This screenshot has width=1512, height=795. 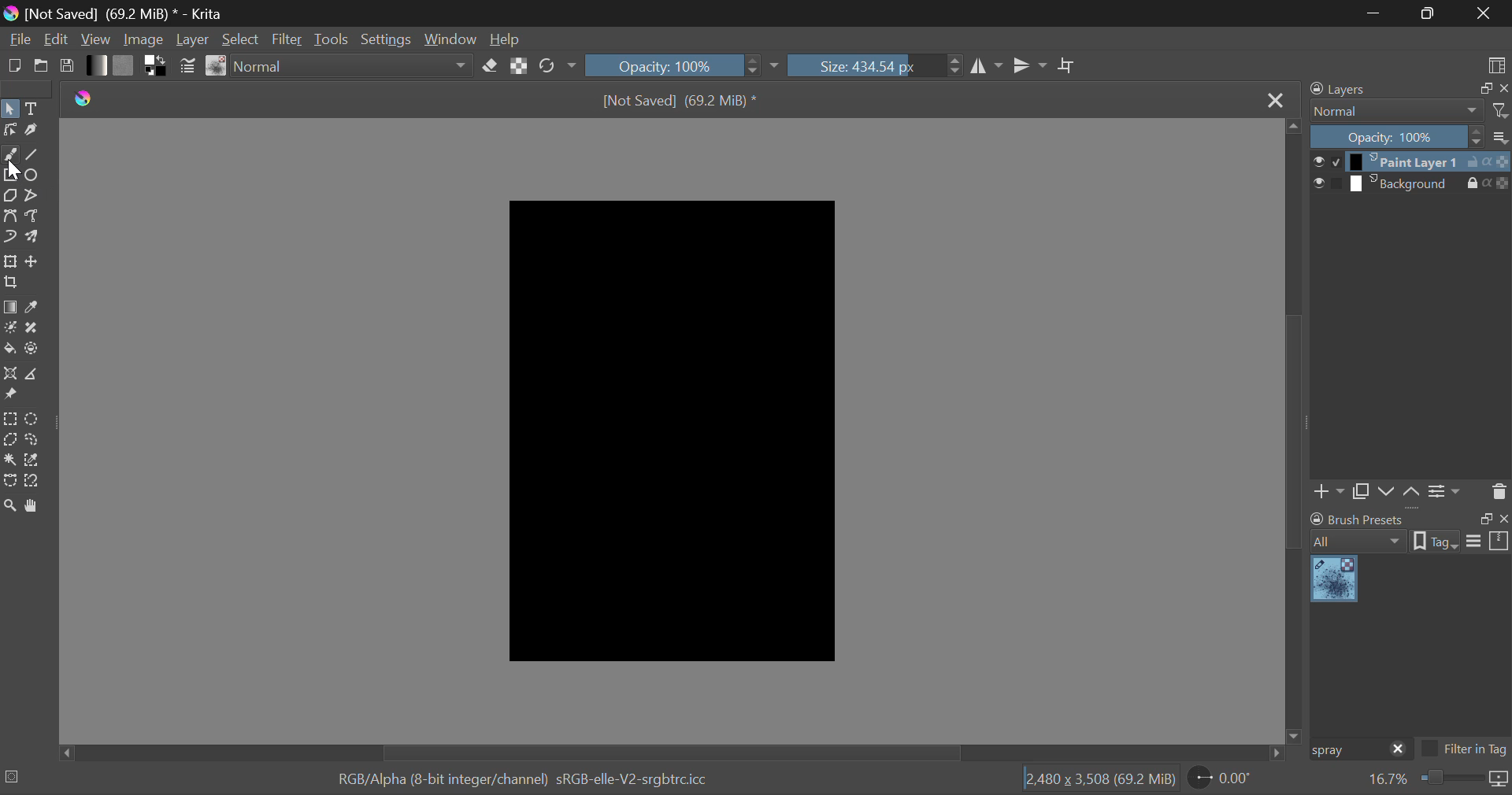 What do you see at coordinates (1100, 778) in the screenshot?
I see `12,480 x 3,508 (69.2 MiB)` at bounding box center [1100, 778].